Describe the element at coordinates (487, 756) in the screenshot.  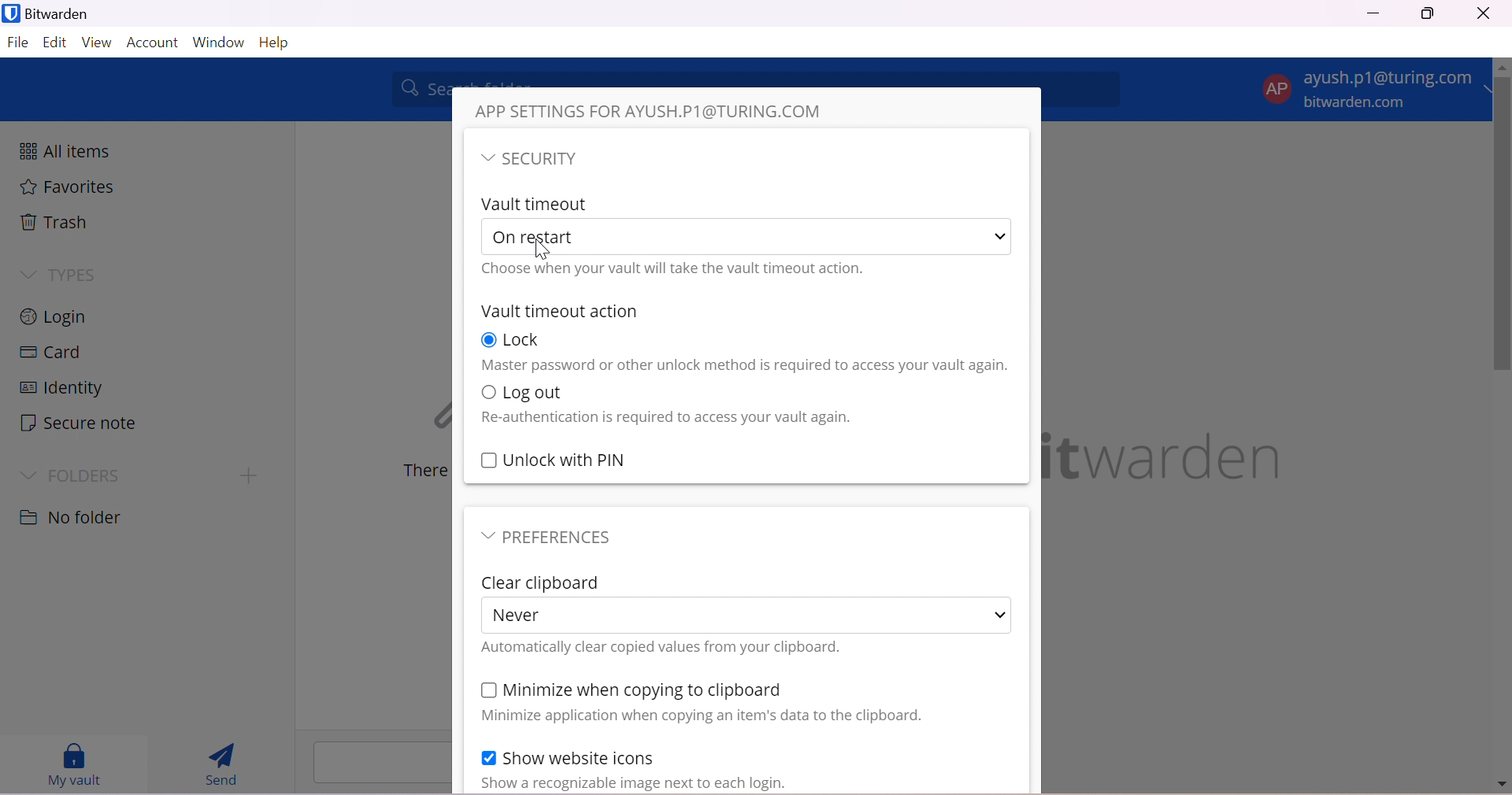
I see `Checkbox` at that location.